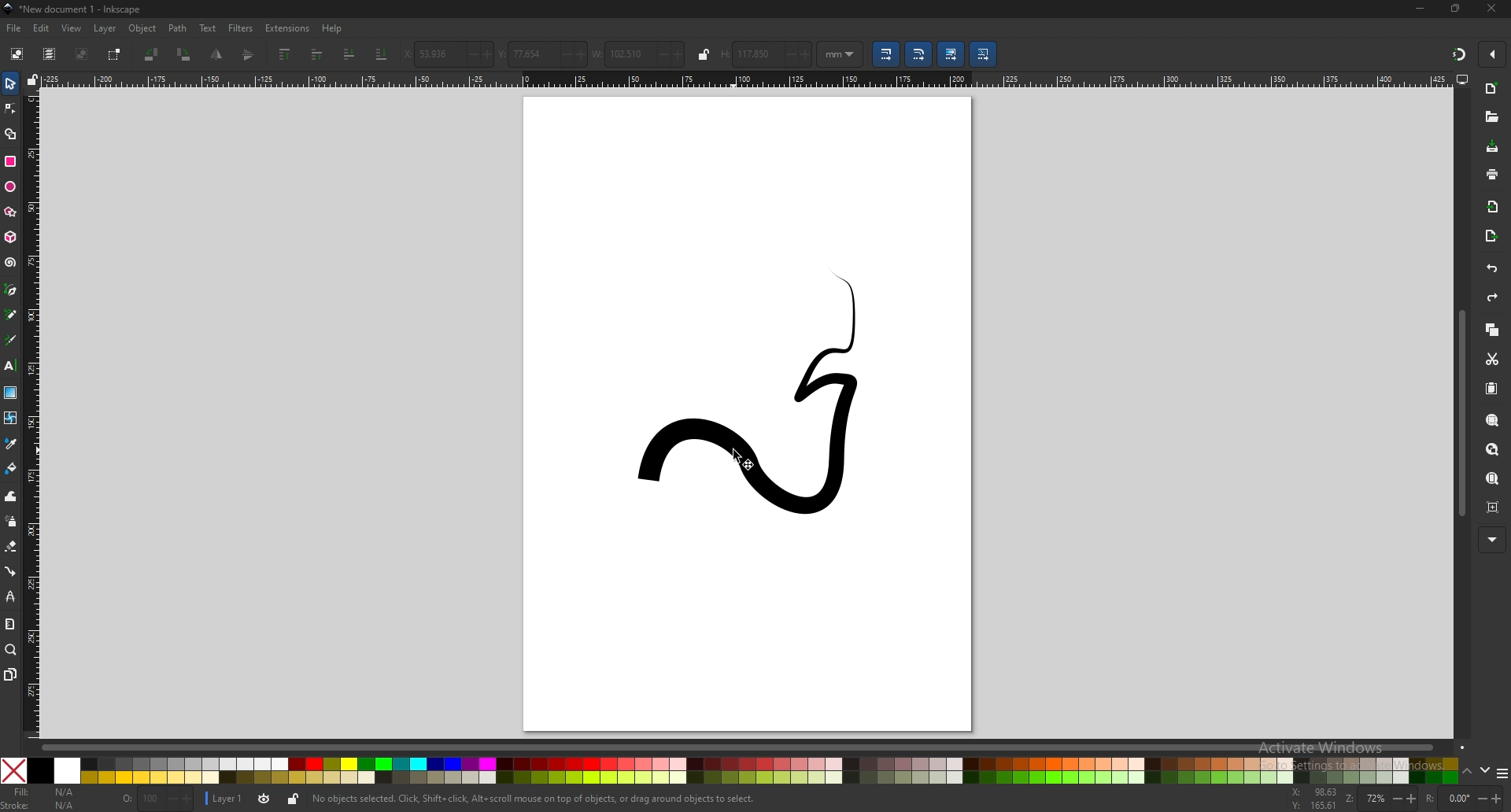 Image resolution: width=1511 pixels, height=812 pixels. Describe the element at coordinates (17, 53) in the screenshot. I see `select all objects` at that location.